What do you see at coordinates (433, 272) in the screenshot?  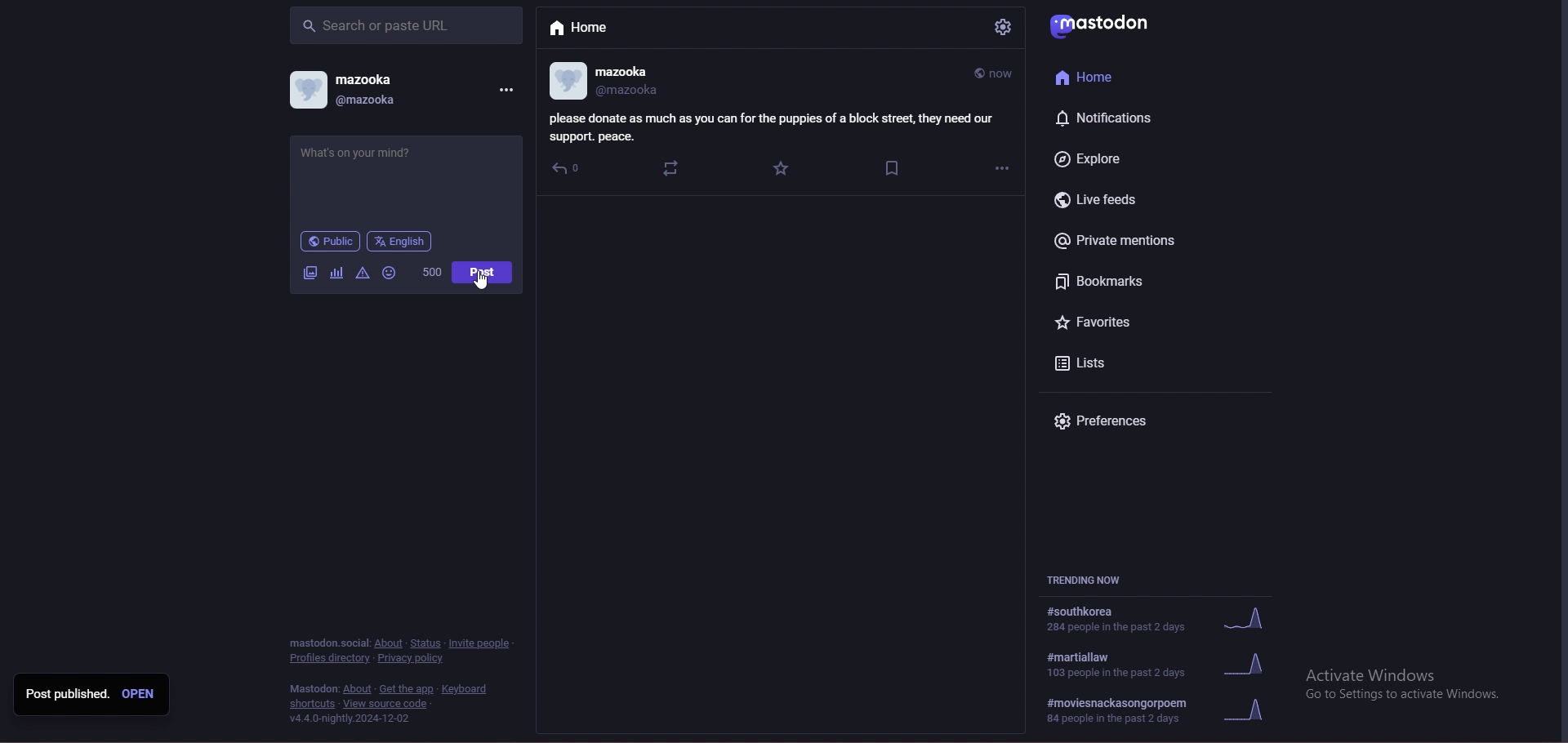 I see `worf count` at bounding box center [433, 272].